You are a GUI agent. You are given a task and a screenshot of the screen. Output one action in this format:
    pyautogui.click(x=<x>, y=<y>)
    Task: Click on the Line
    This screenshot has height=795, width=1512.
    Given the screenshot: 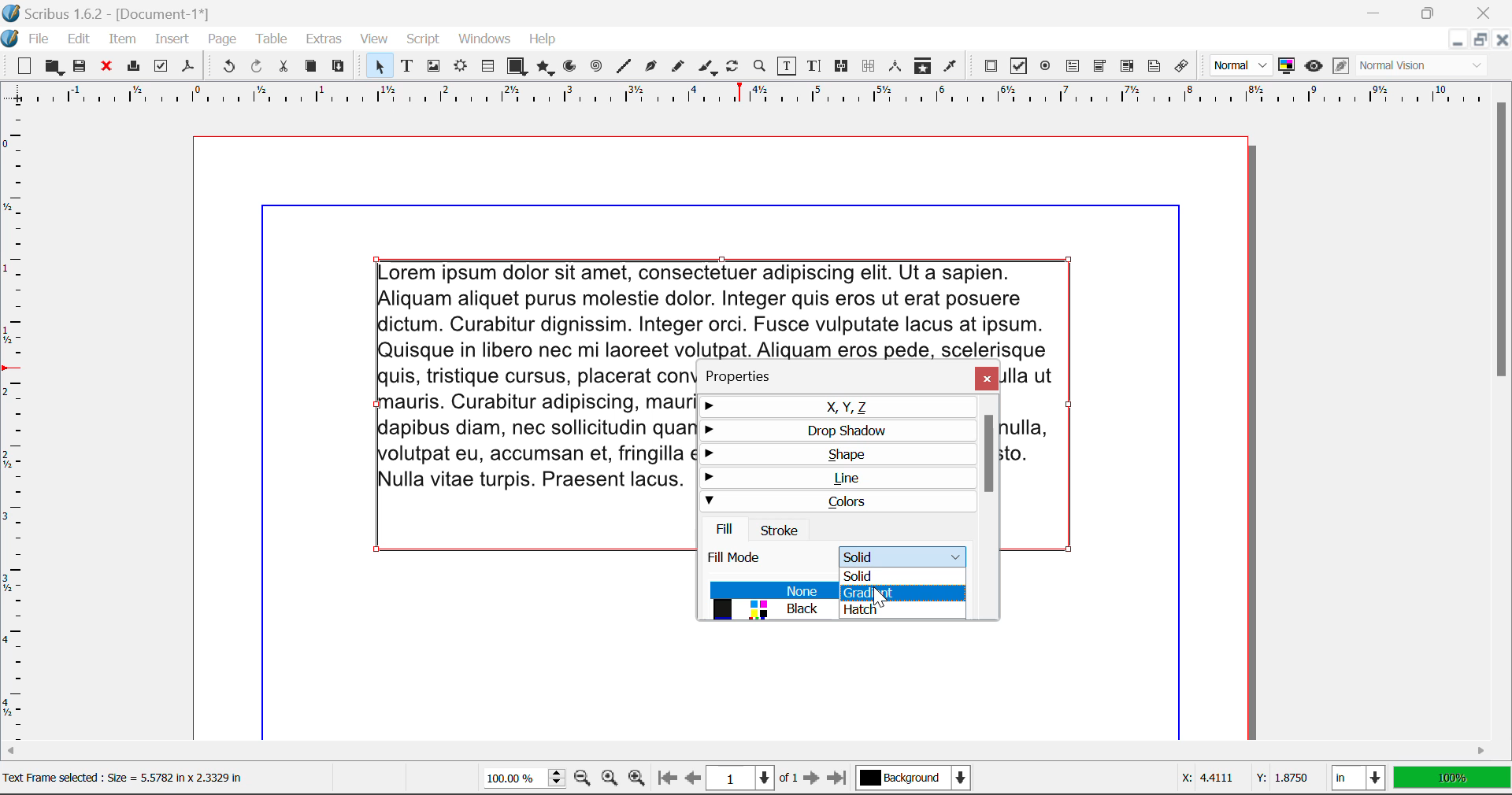 What is the action you would take?
    pyautogui.click(x=624, y=67)
    